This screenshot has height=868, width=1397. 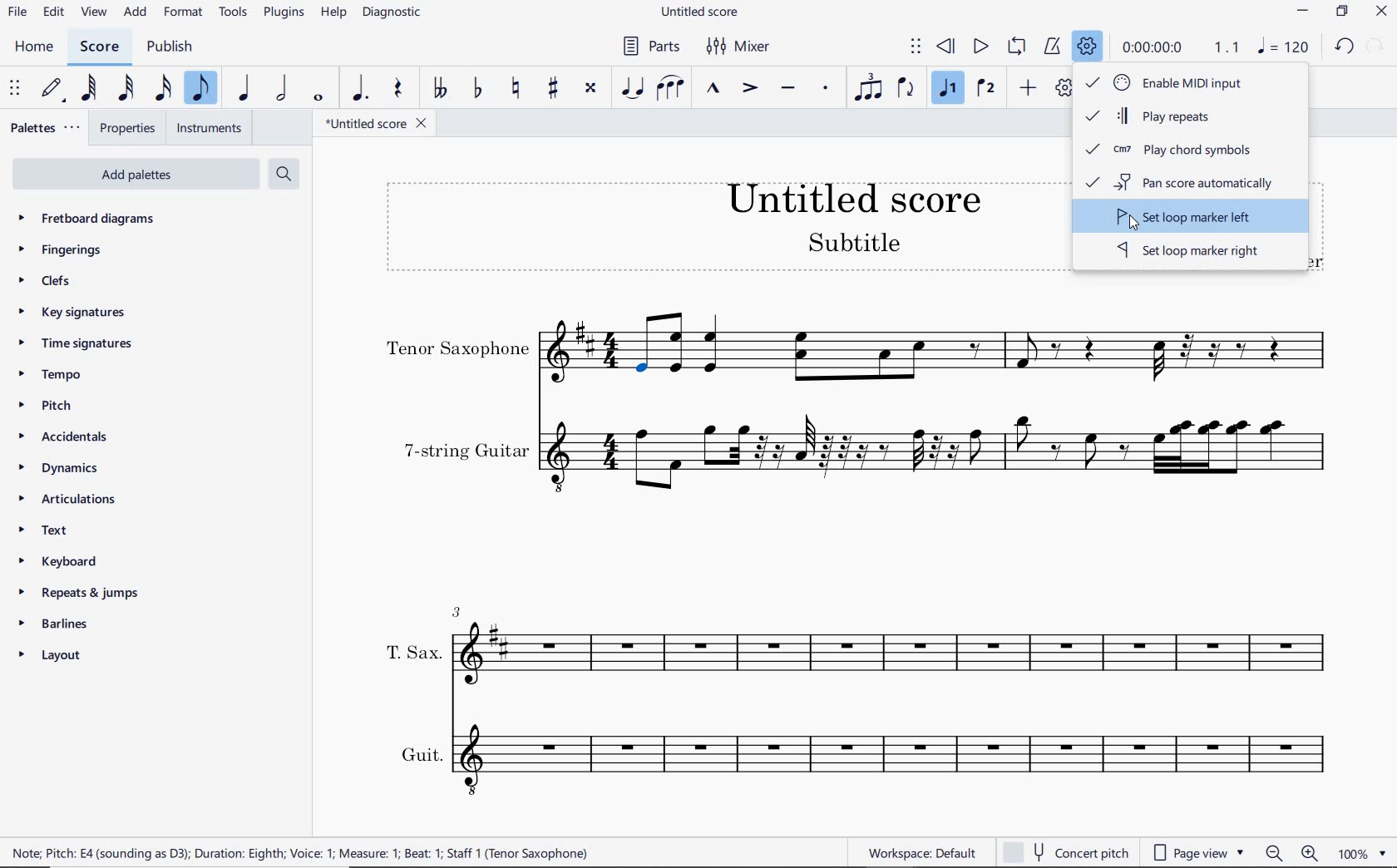 I want to click on MIXER, so click(x=747, y=47).